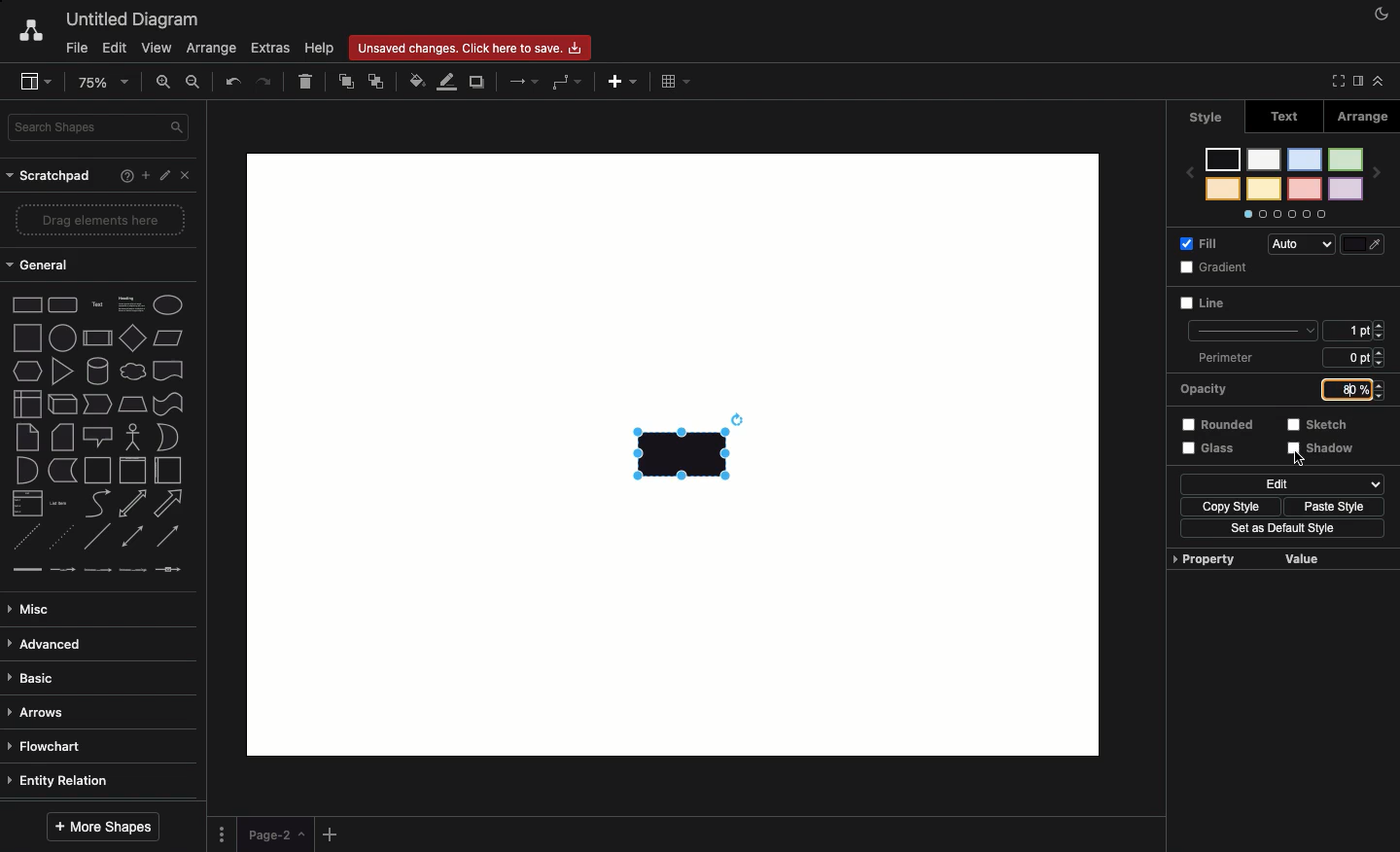 The height and width of the screenshot is (852, 1400). What do you see at coordinates (63, 337) in the screenshot?
I see `circle` at bounding box center [63, 337].